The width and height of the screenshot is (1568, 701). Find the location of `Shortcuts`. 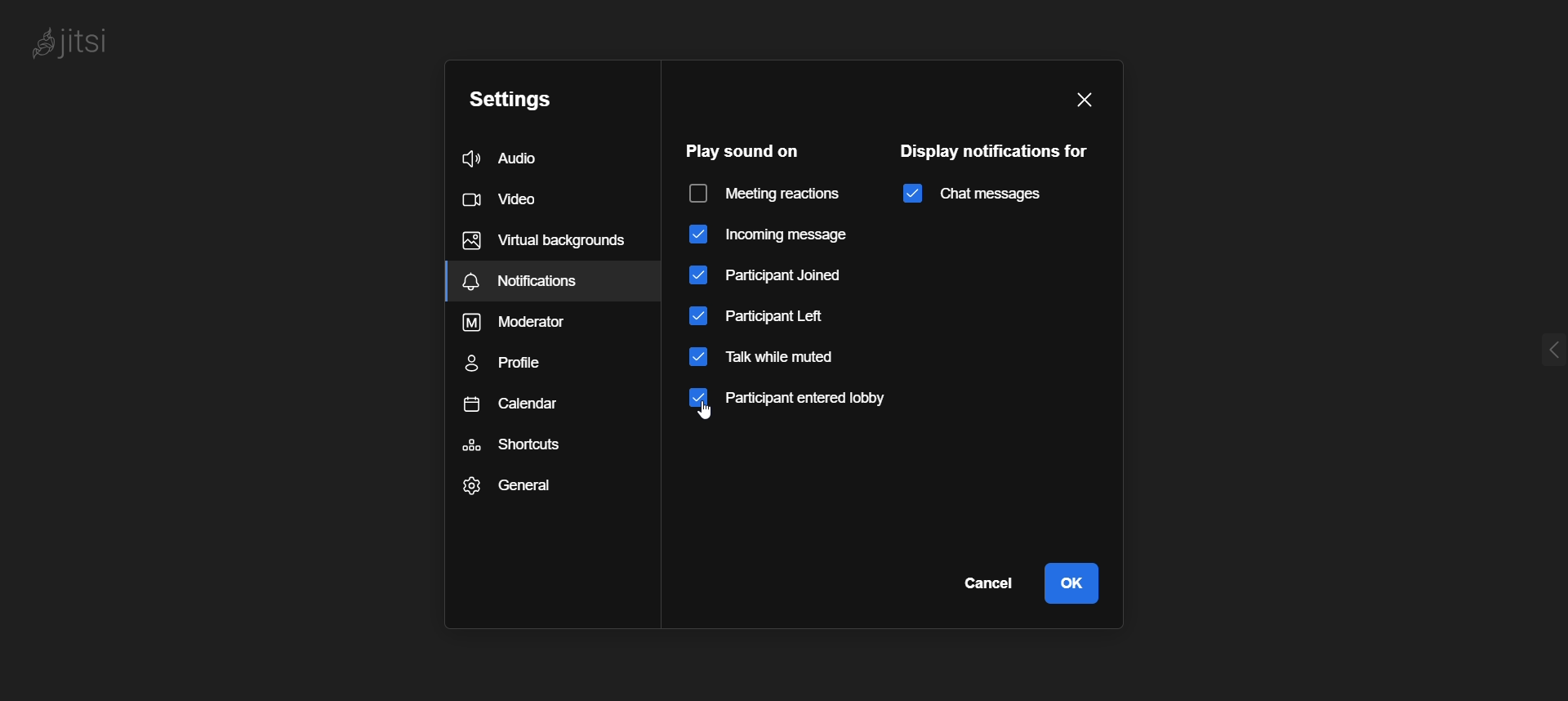

Shortcuts is located at coordinates (515, 444).